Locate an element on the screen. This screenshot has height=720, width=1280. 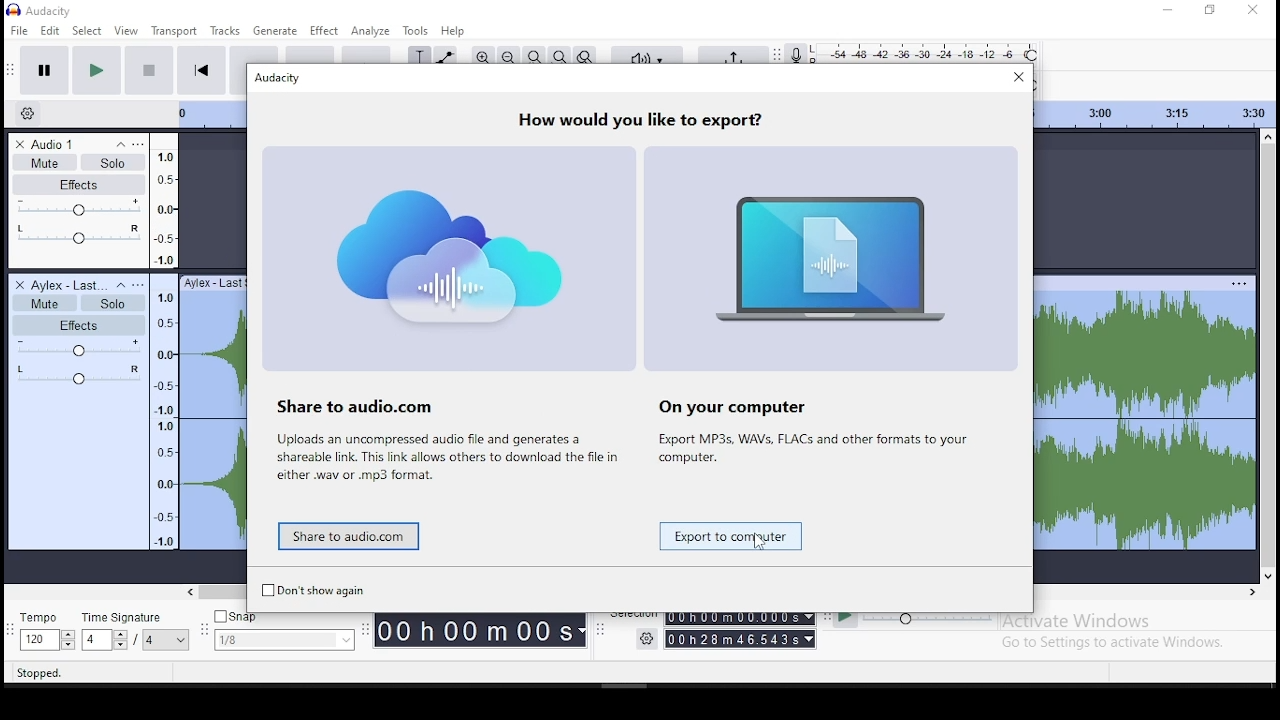
close window is located at coordinates (1018, 75).